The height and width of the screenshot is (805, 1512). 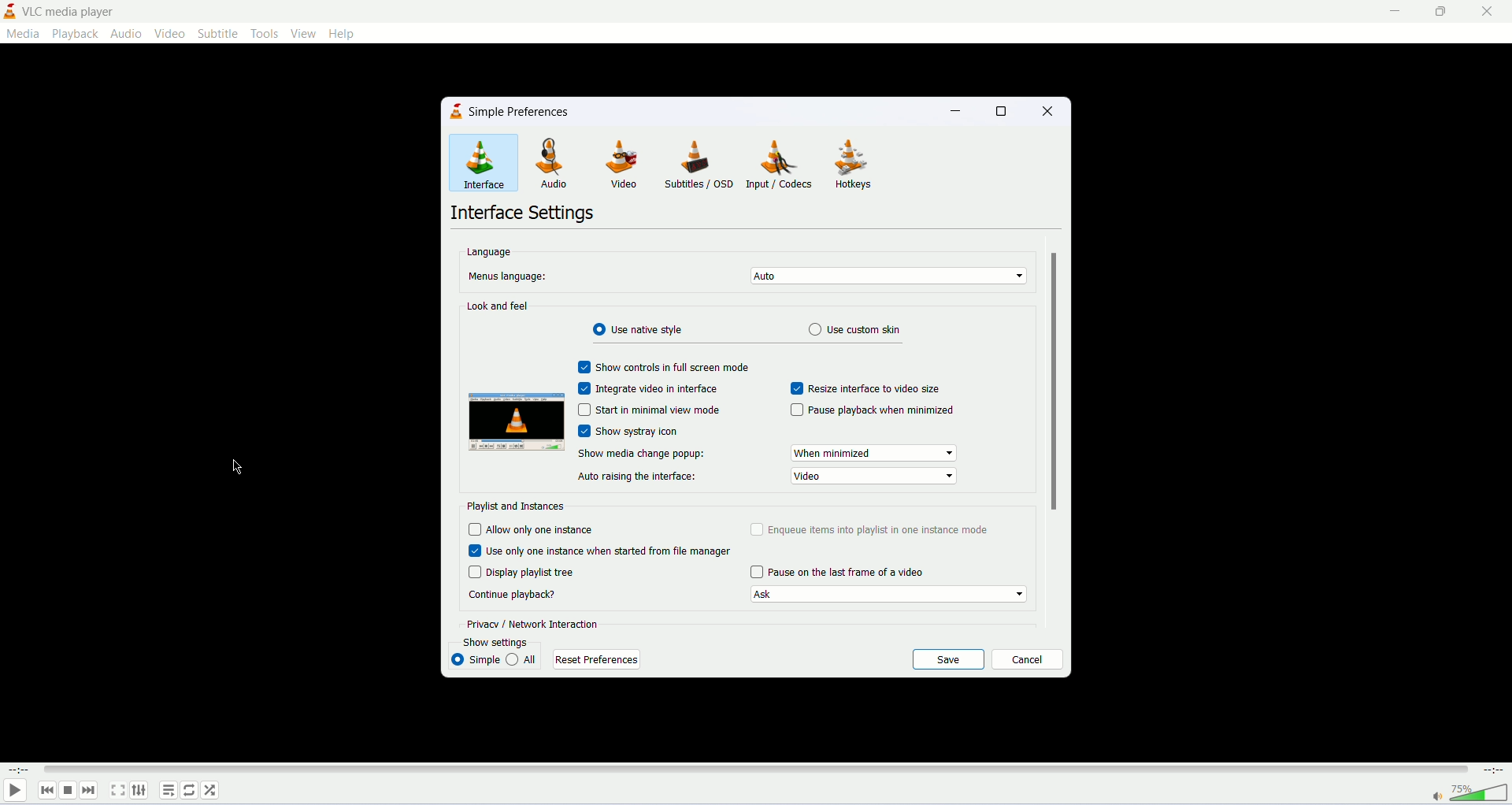 I want to click on Menu's language, so click(x=510, y=277).